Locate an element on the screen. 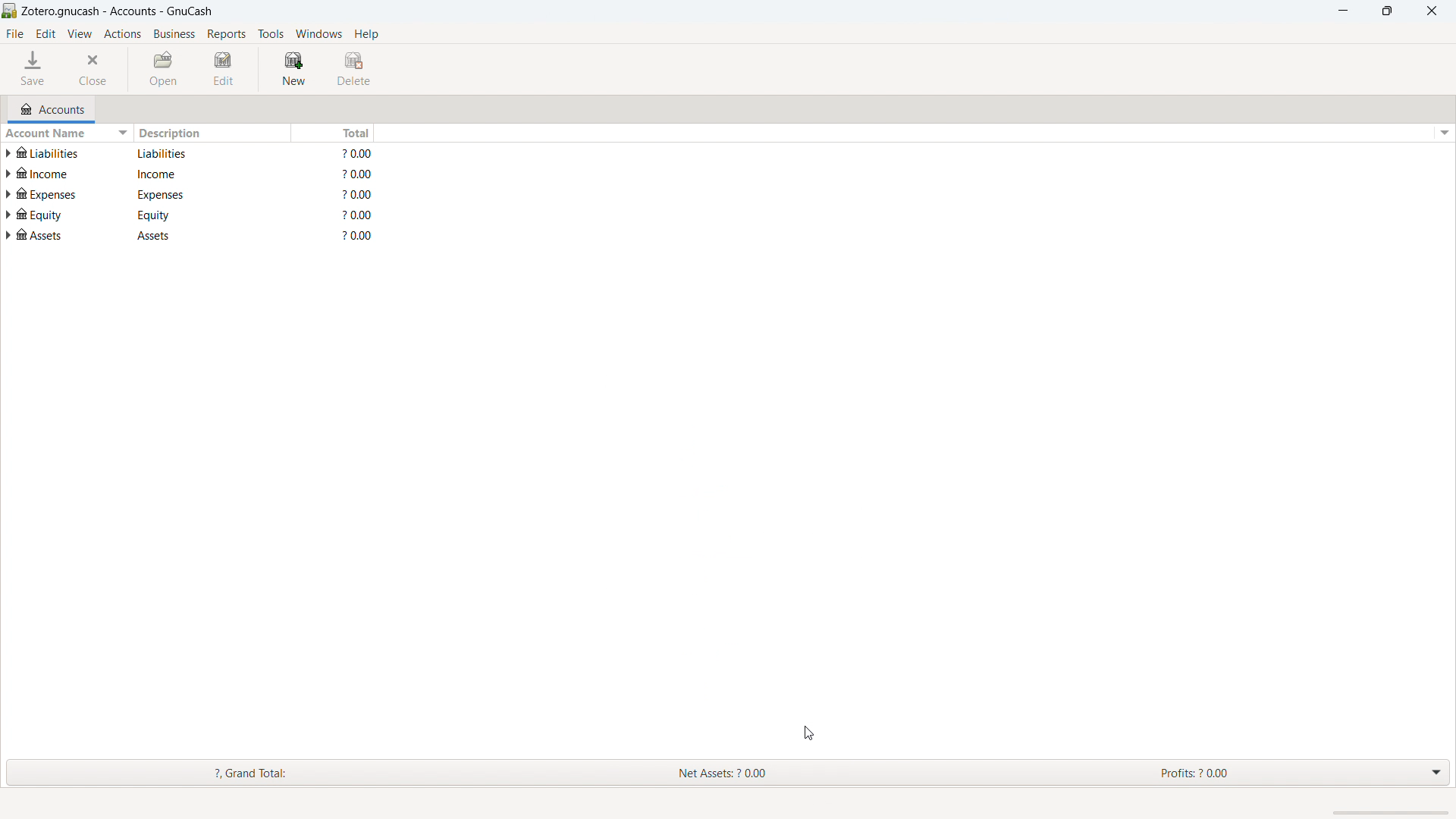 Image resolution: width=1456 pixels, height=819 pixels. account name is located at coordinates (55, 196).